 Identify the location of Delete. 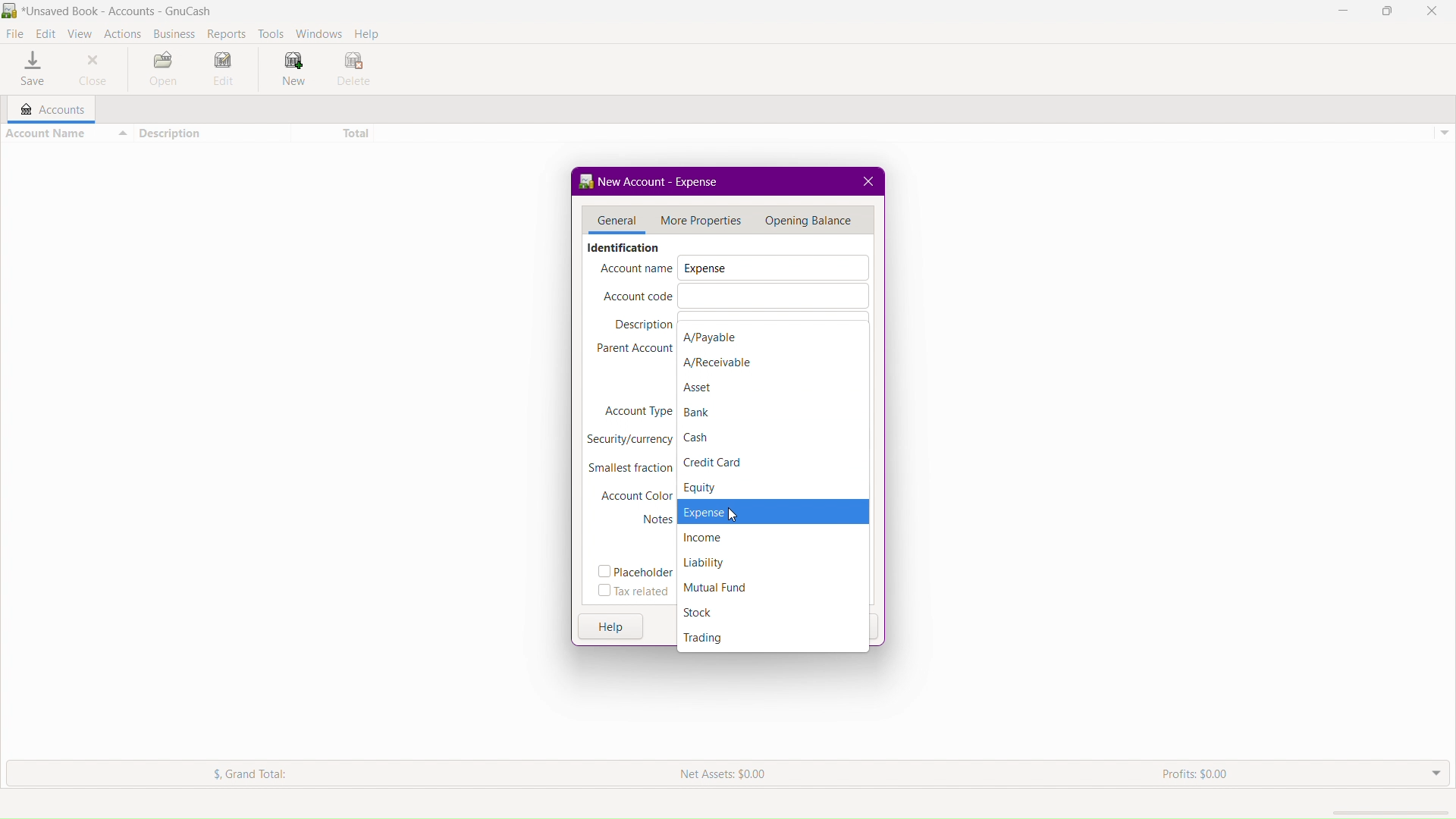
(354, 71).